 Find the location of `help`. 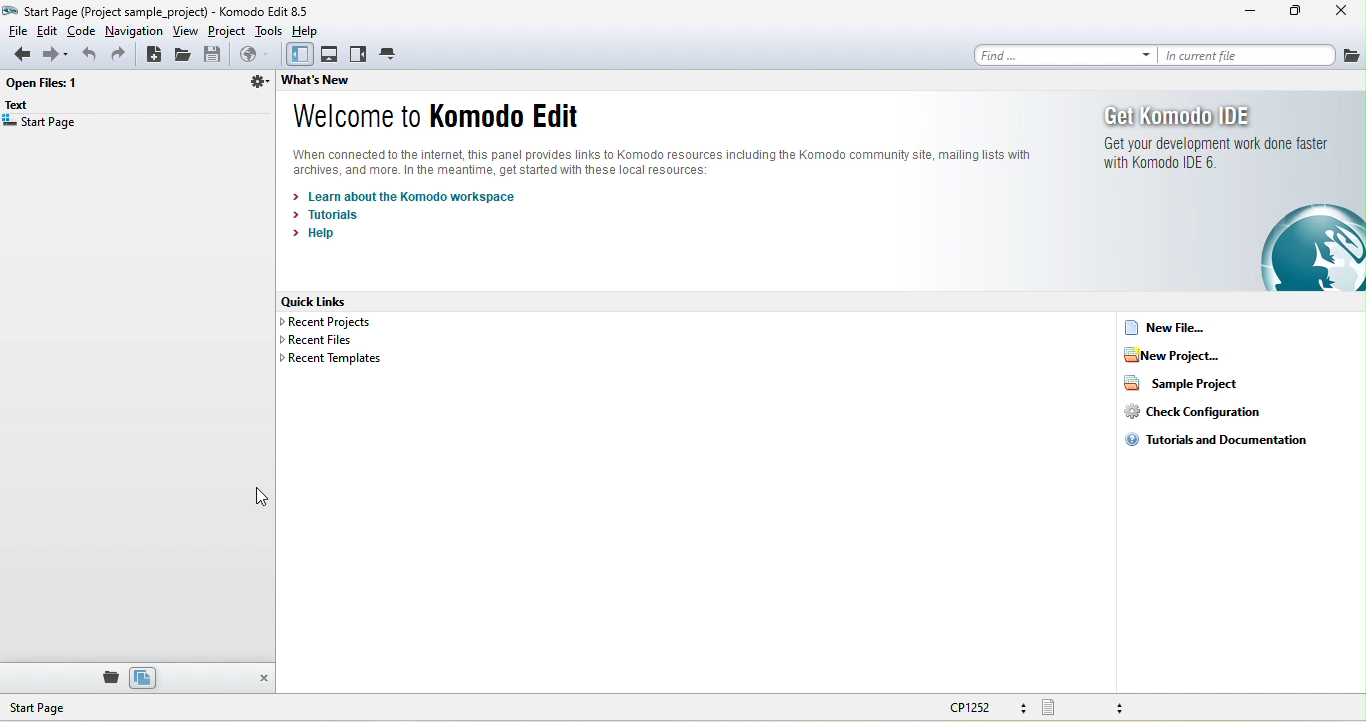

help is located at coordinates (318, 237).